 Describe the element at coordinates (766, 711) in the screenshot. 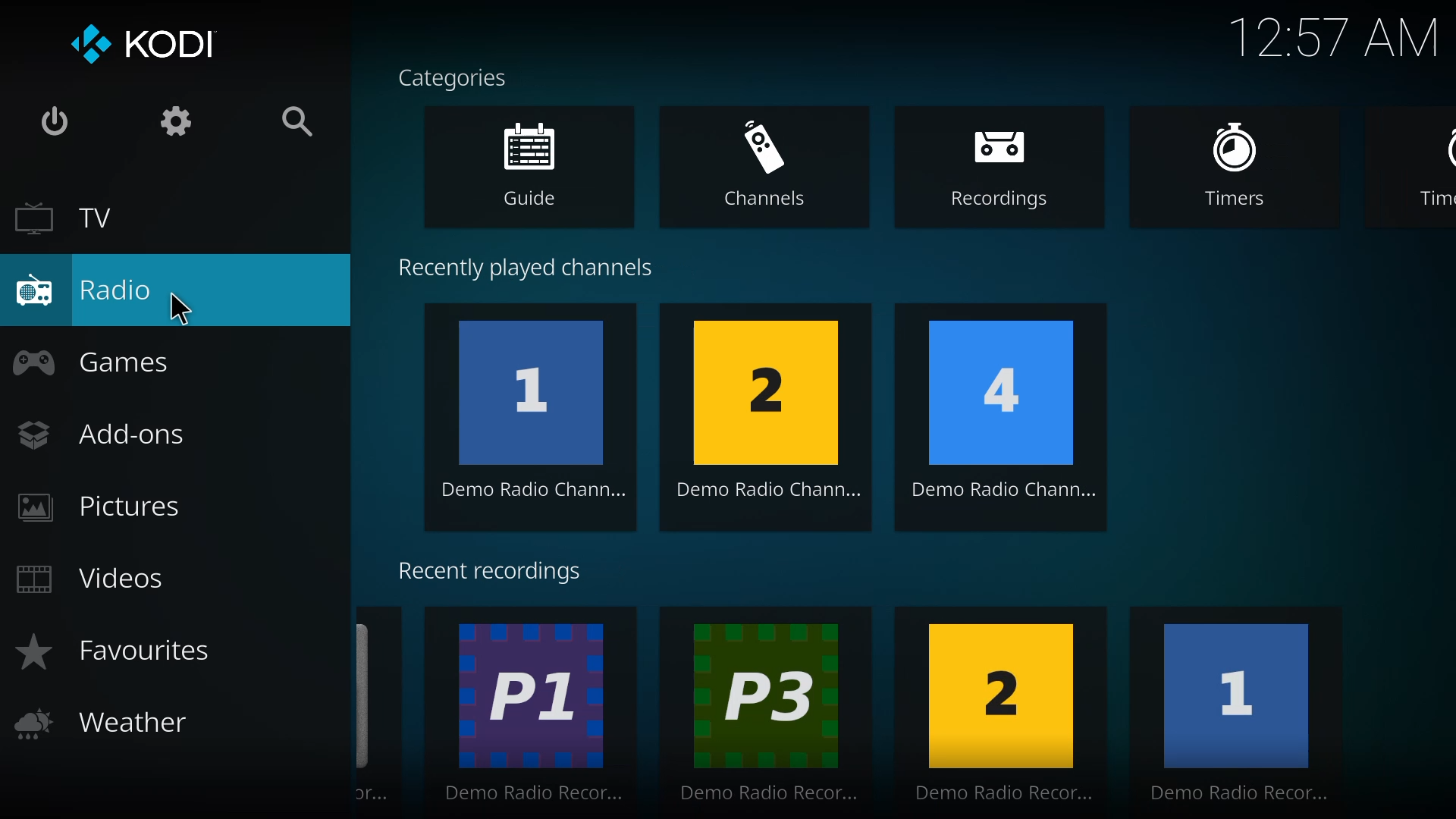

I see `P3 Demo Radio Recor...` at that location.